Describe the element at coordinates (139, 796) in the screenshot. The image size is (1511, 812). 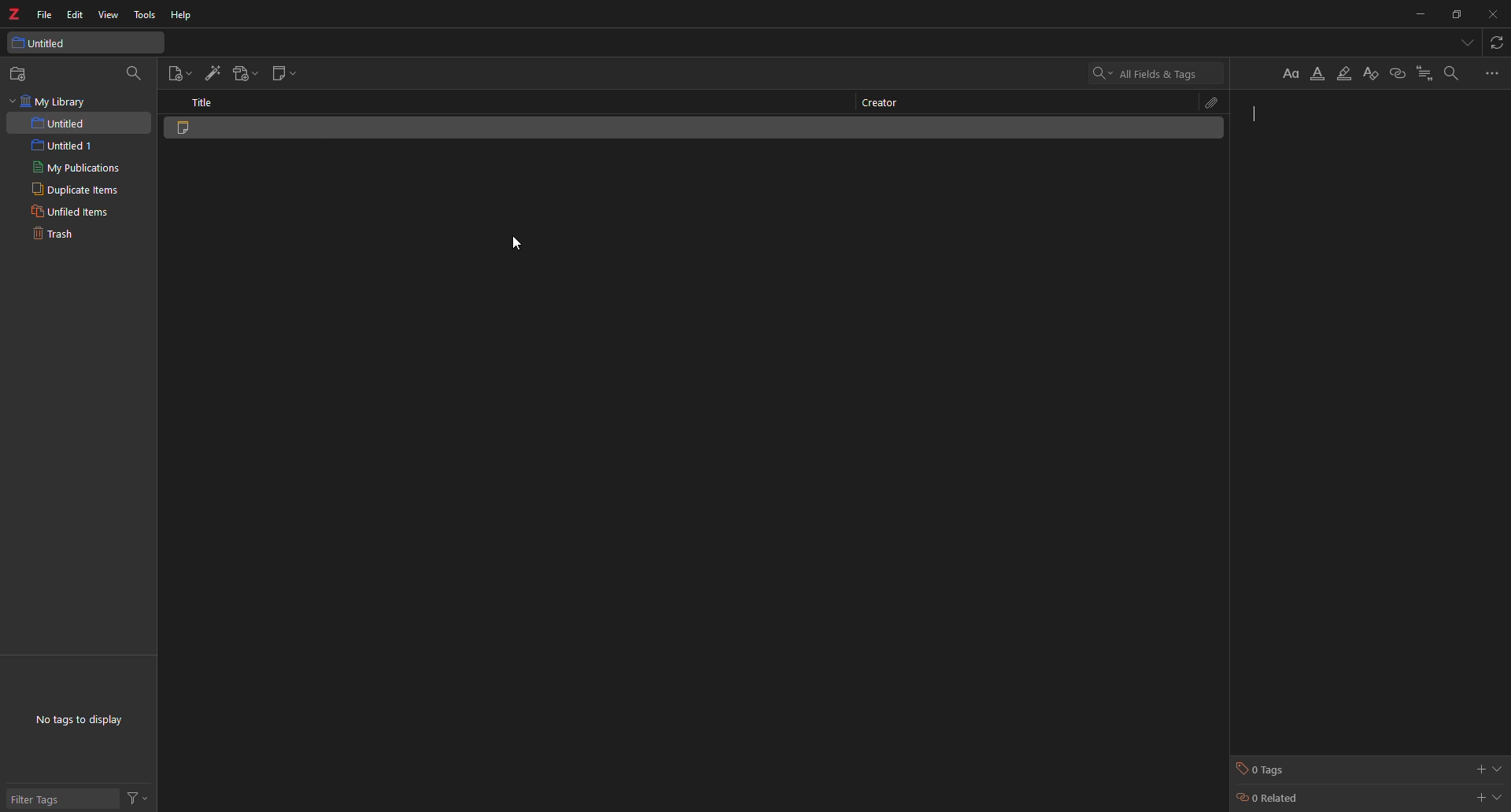
I see `actions` at that location.